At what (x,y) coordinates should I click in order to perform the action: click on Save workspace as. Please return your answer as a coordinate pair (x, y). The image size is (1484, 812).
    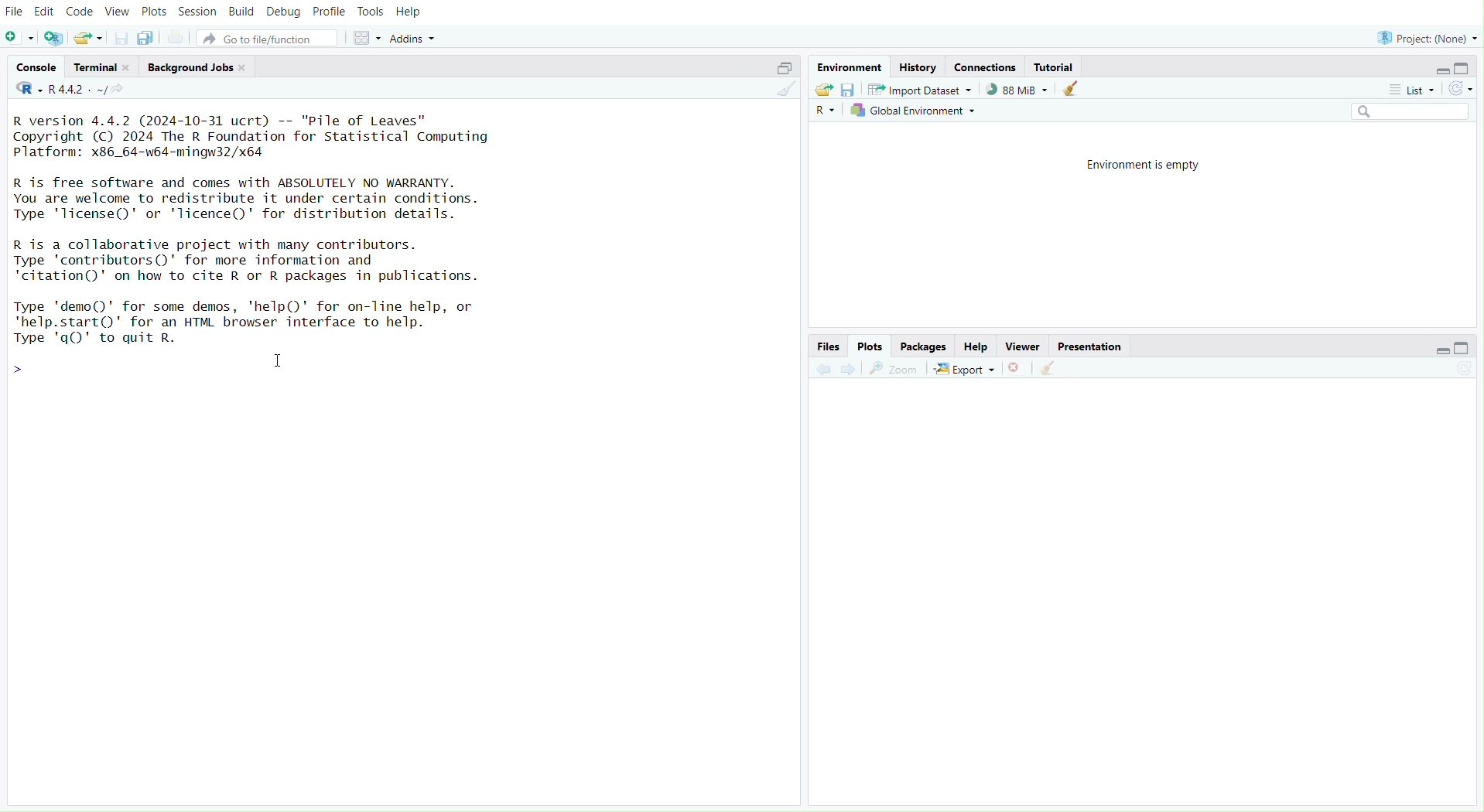
    Looking at the image, I should click on (850, 89).